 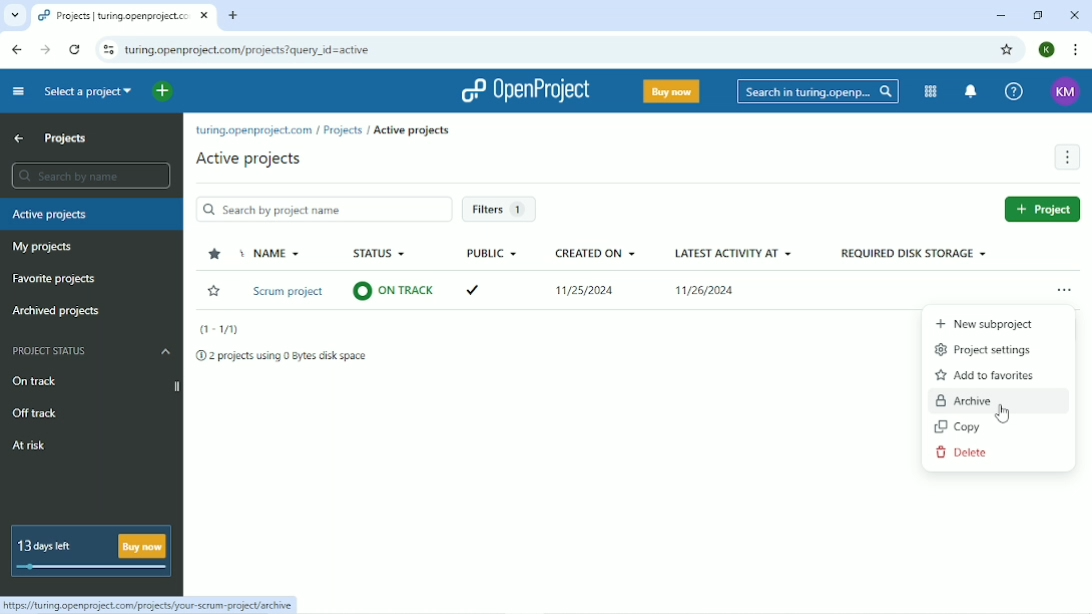 What do you see at coordinates (19, 92) in the screenshot?
I see `Collapse project menu` at bounding box center [19, 92].